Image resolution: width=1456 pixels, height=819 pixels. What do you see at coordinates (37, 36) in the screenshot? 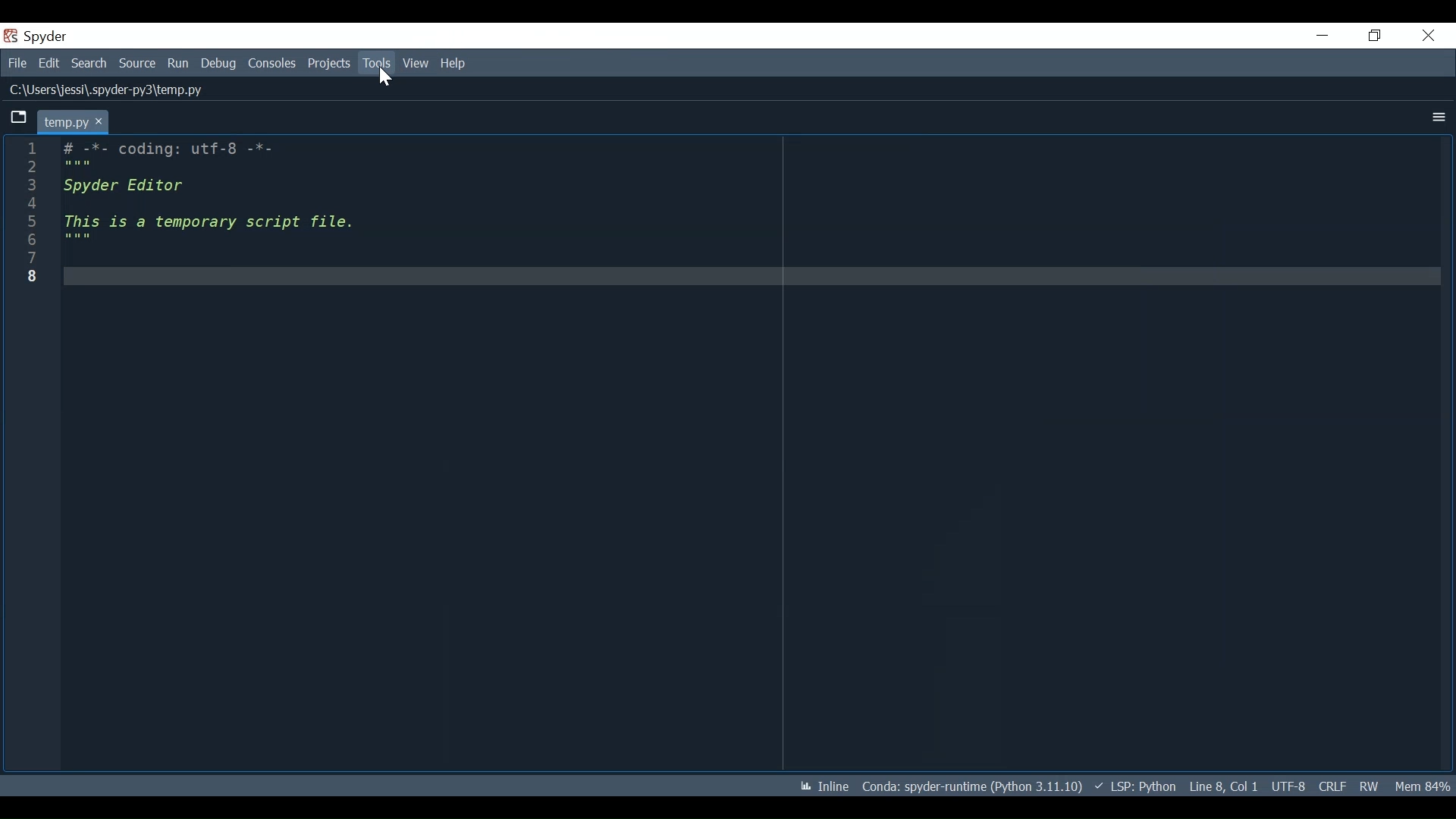
I see `Spyder Desktop Icon` at bounding box center [37, 36].